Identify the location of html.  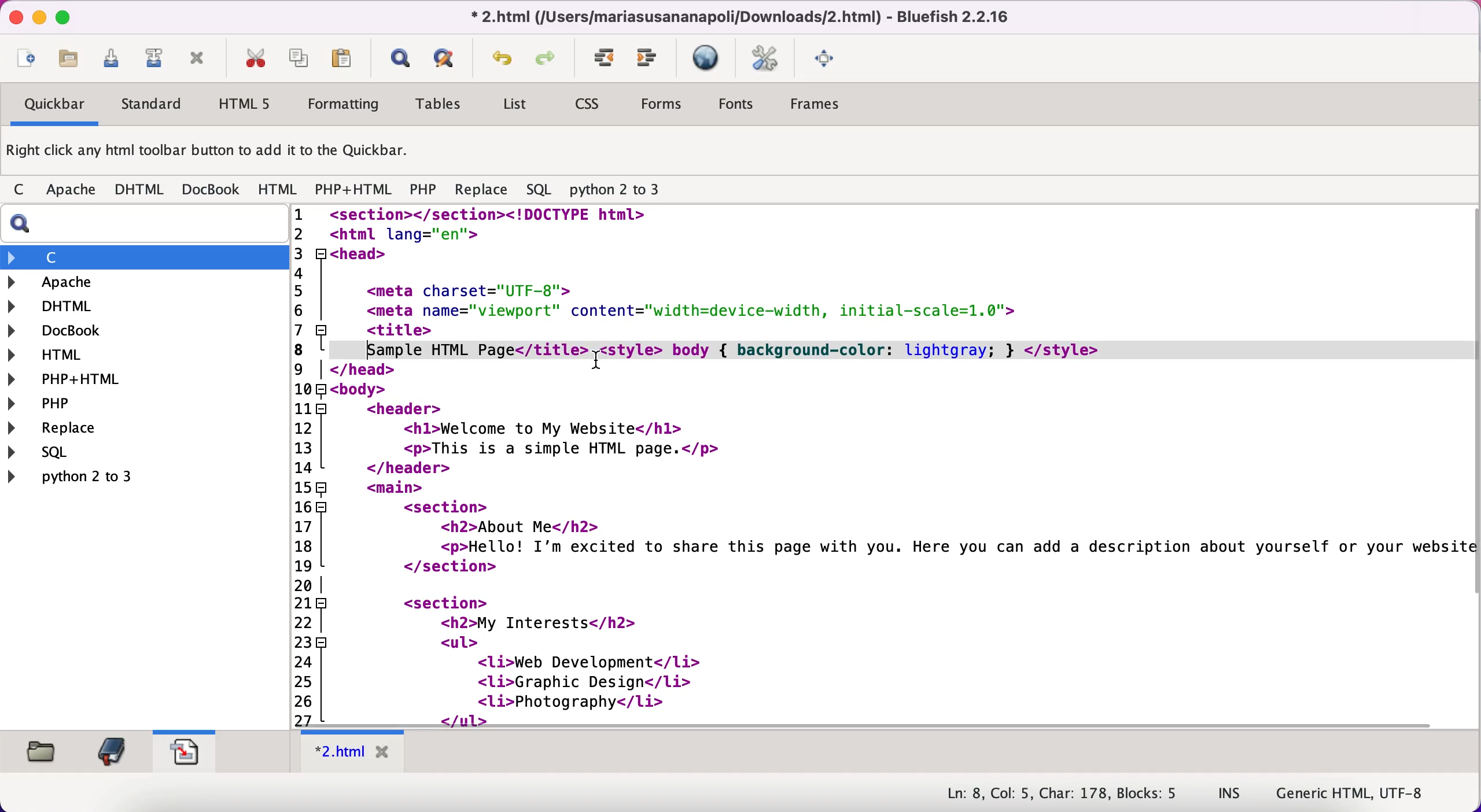
(58, 357).